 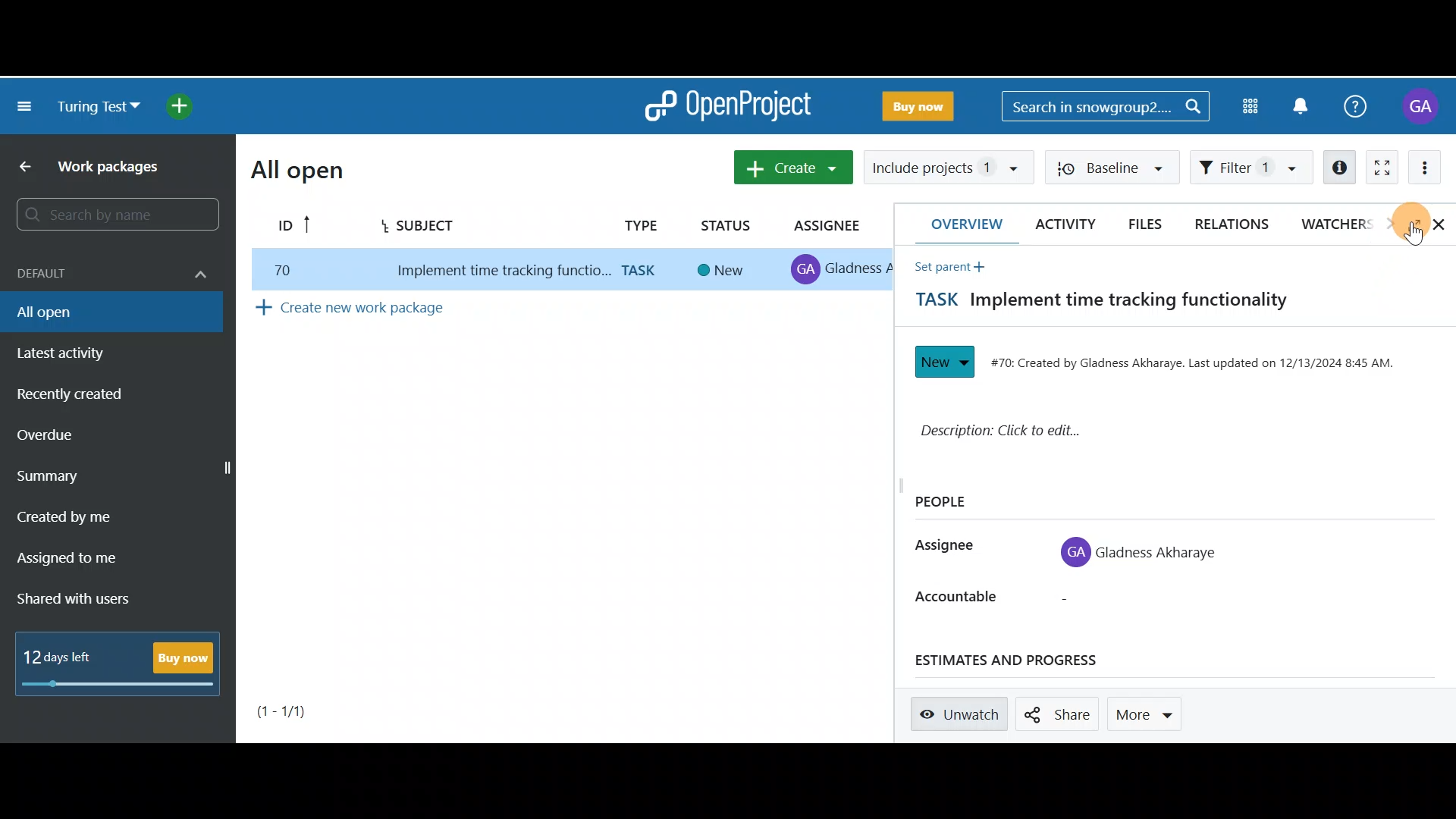 I want to click on Activate zen mode, so click(x=1389, y=165).